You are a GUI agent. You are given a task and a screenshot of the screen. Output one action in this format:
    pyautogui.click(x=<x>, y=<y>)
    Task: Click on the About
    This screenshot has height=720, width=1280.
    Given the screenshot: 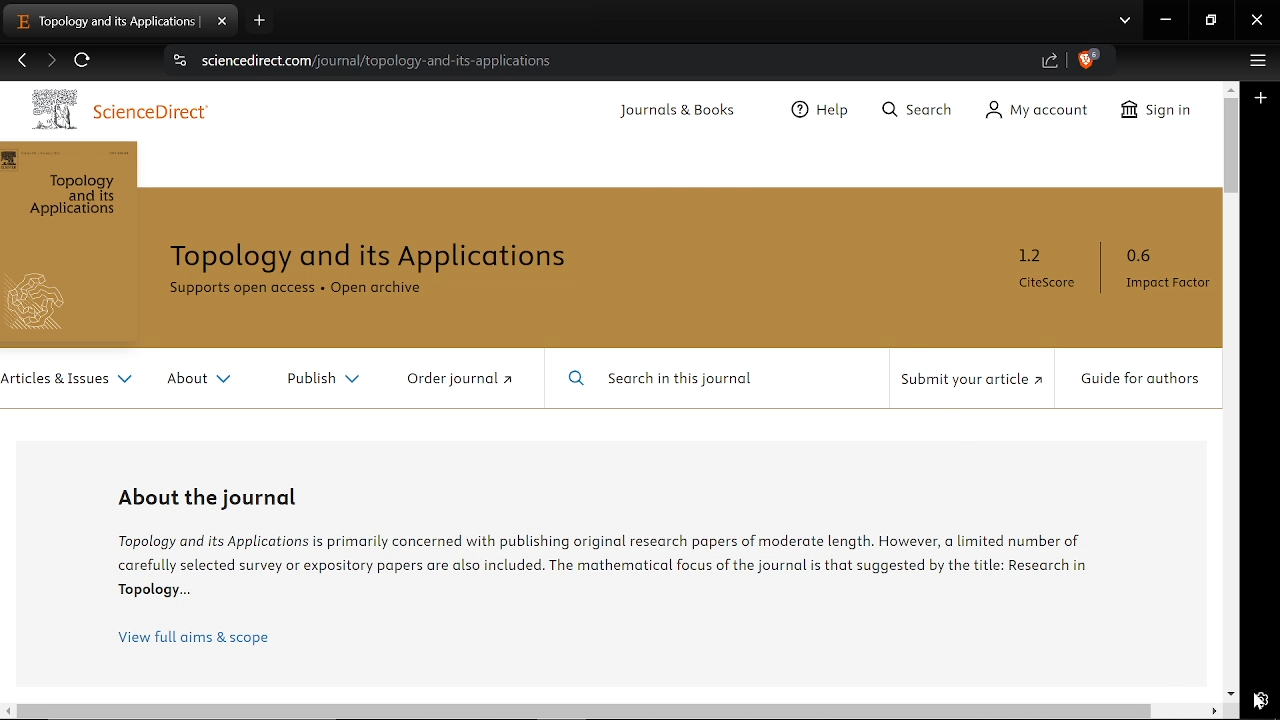 What is the action you would take?
    pyautogui.click(x=197, y=383)
    